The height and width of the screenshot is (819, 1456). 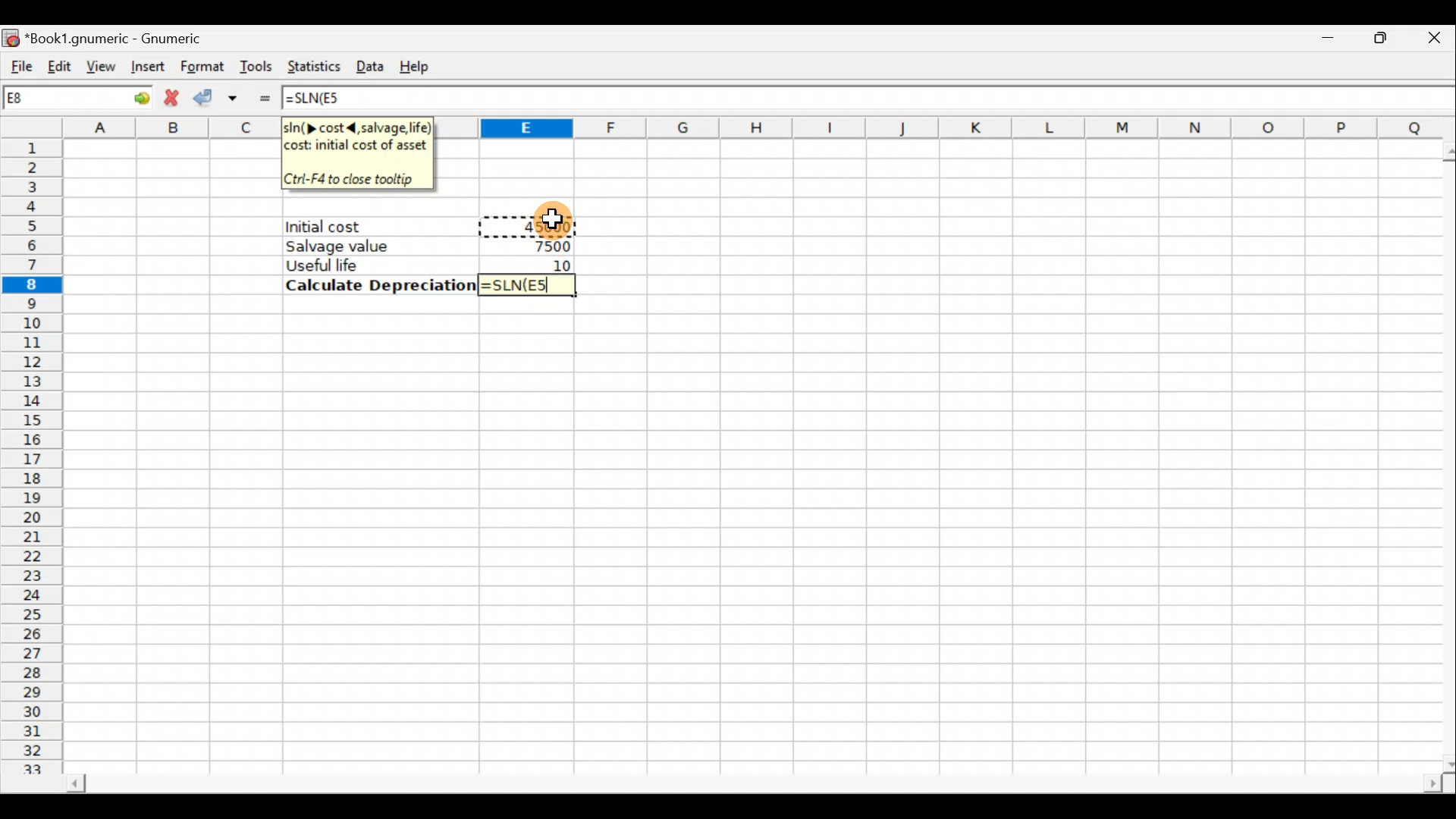 What do you see at coordinates (36, 458) in the screenshot?
I see `Rows` at bounding box center [36, 458].